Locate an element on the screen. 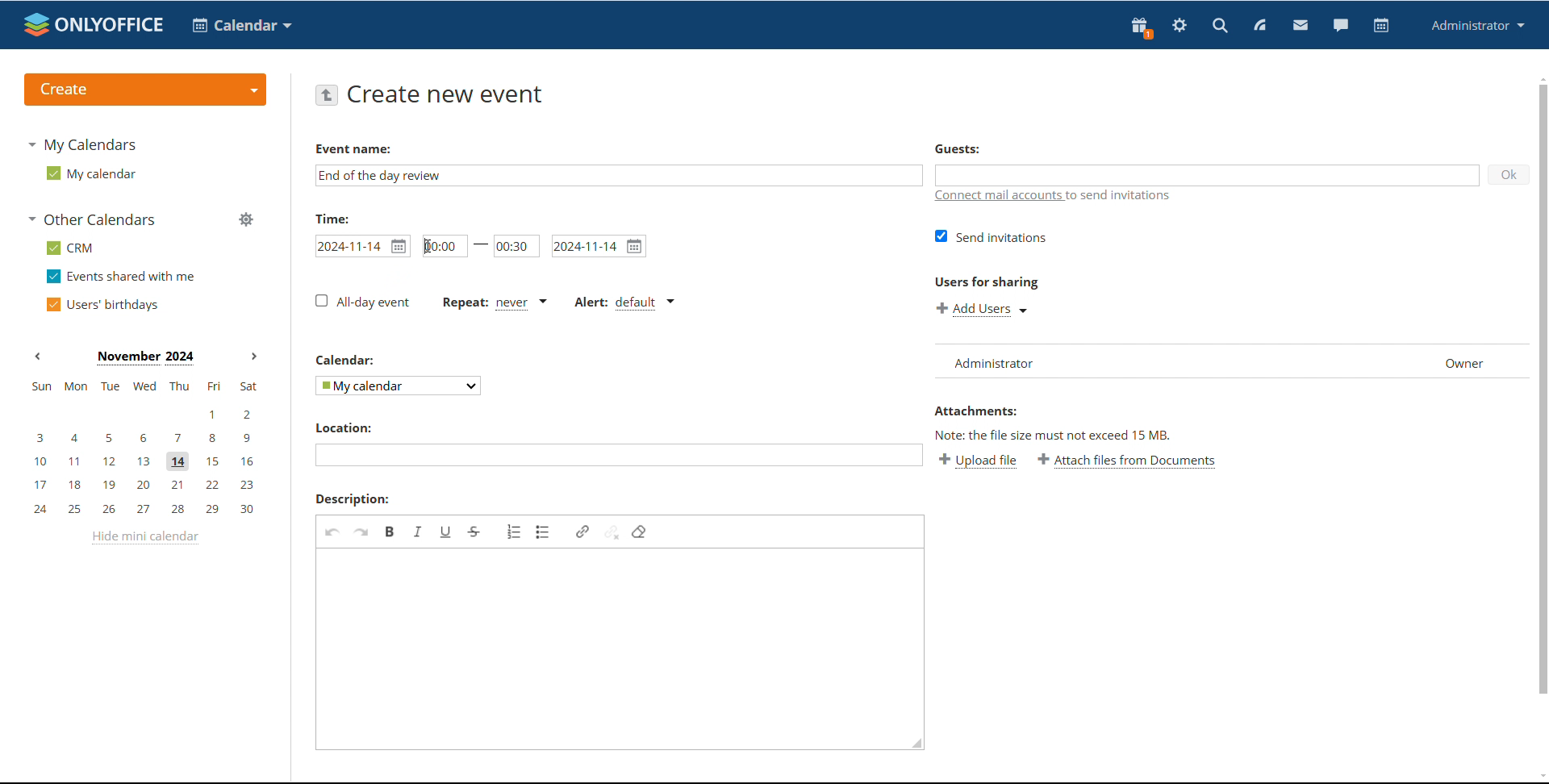 Image resolution: width=1549 pixels, height=784 pixels. attach files from documents is located at coordinates (1128, 461).